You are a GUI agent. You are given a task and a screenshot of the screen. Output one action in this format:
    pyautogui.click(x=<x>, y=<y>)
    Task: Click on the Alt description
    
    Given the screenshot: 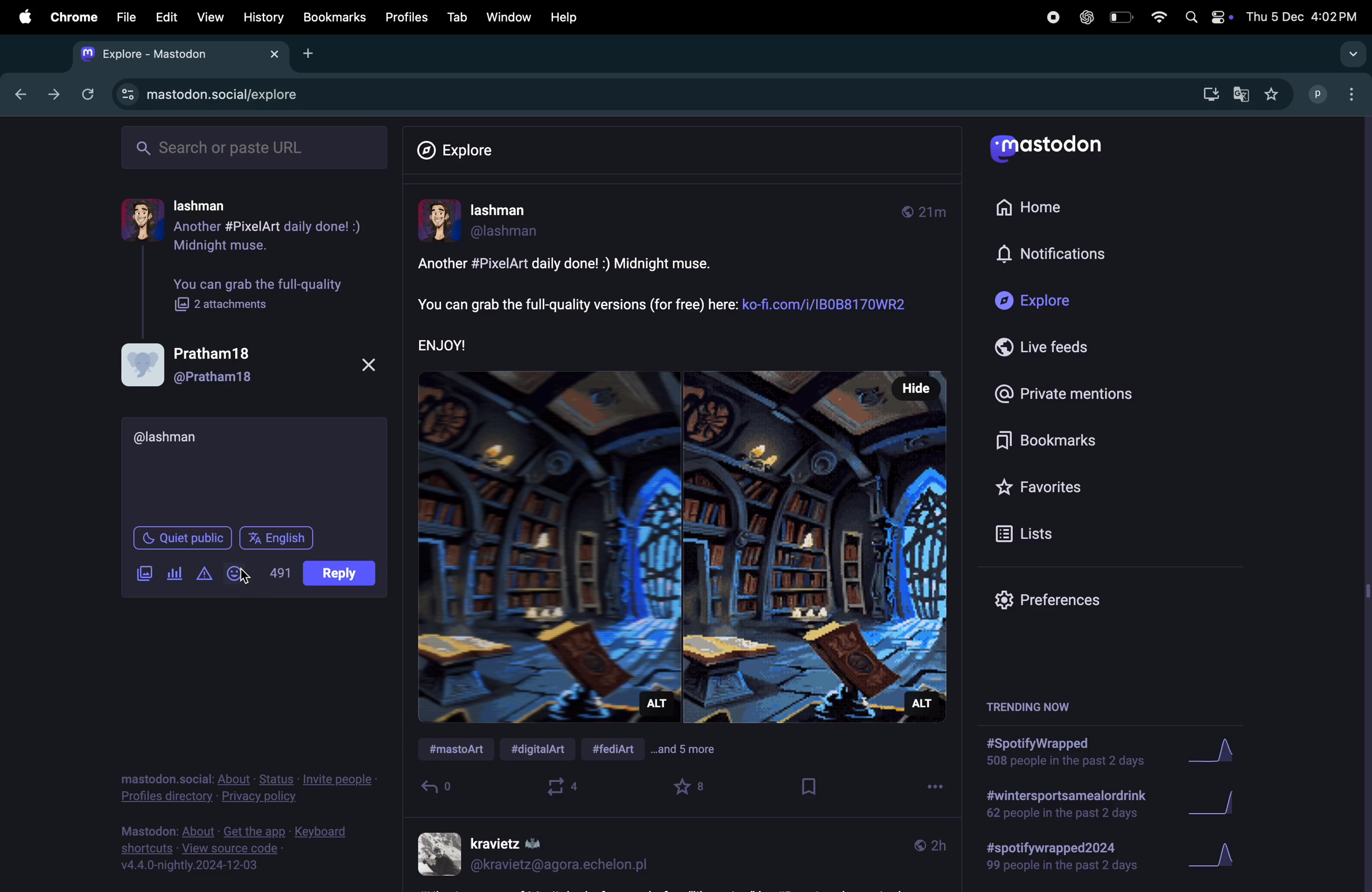 What is the action you would take?
    pyautogui.click(x=658, y=706)
    